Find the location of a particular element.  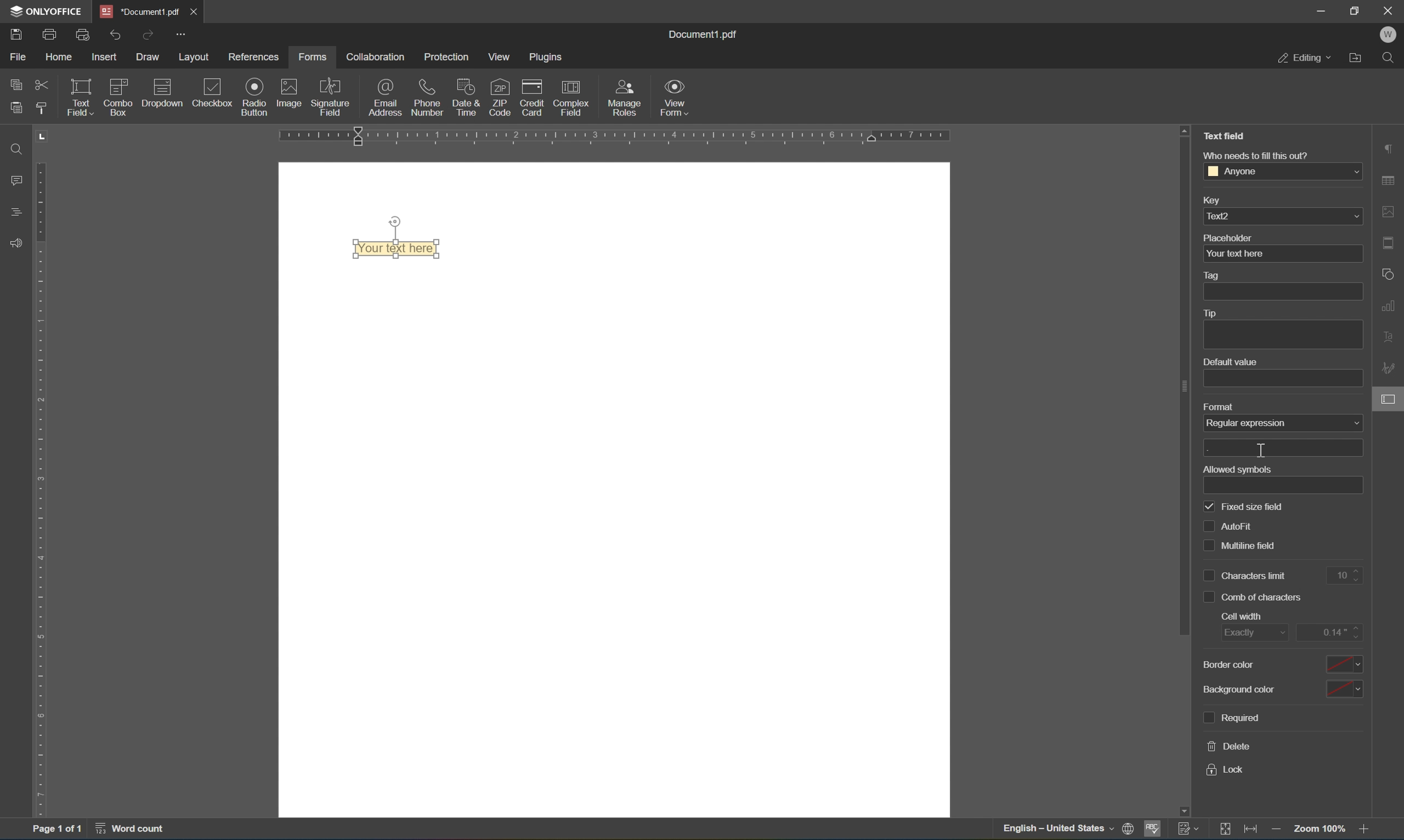

shape settings is located at coordinates (1386, 273).